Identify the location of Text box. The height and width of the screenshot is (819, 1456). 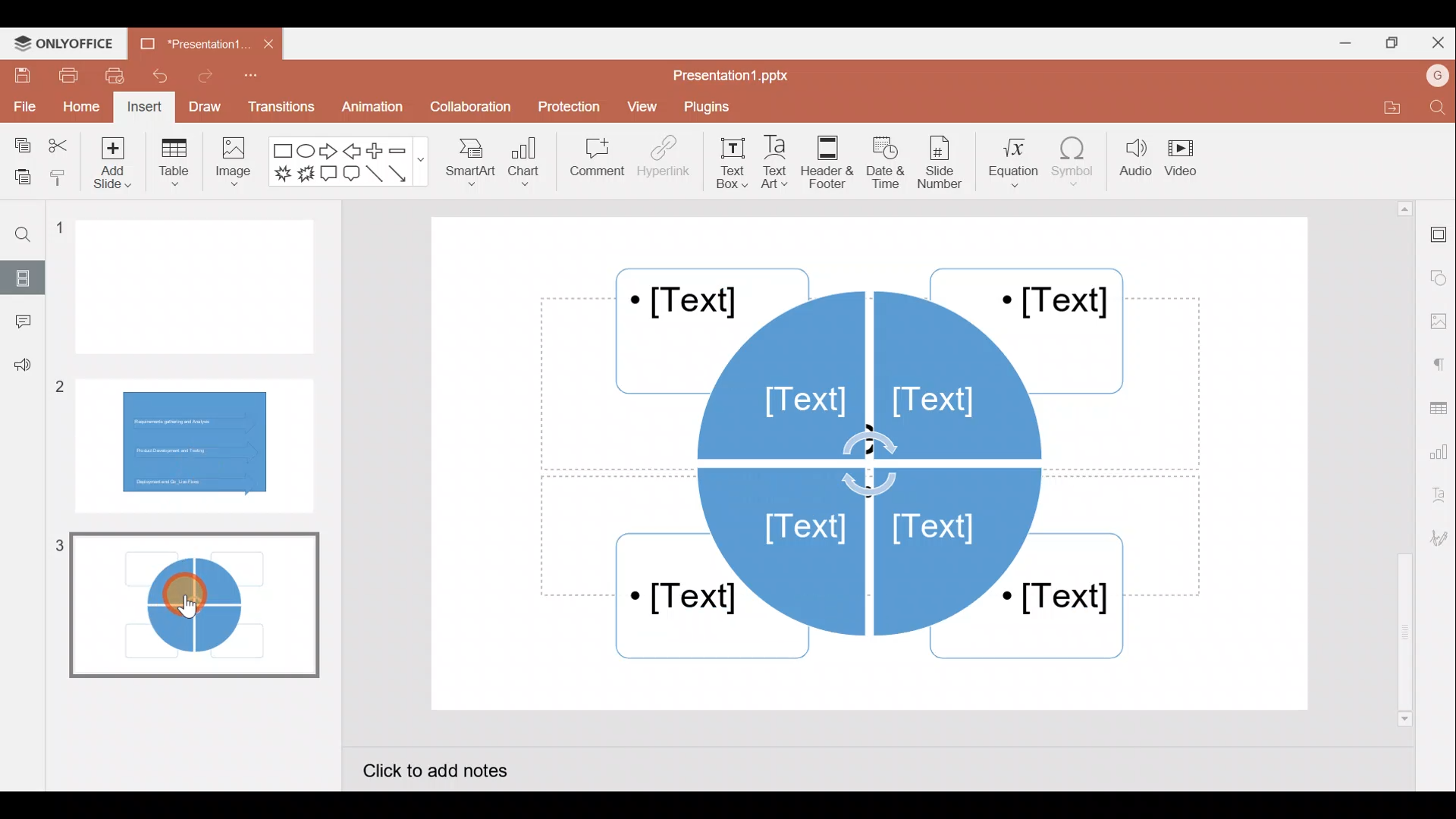
(728, 163).